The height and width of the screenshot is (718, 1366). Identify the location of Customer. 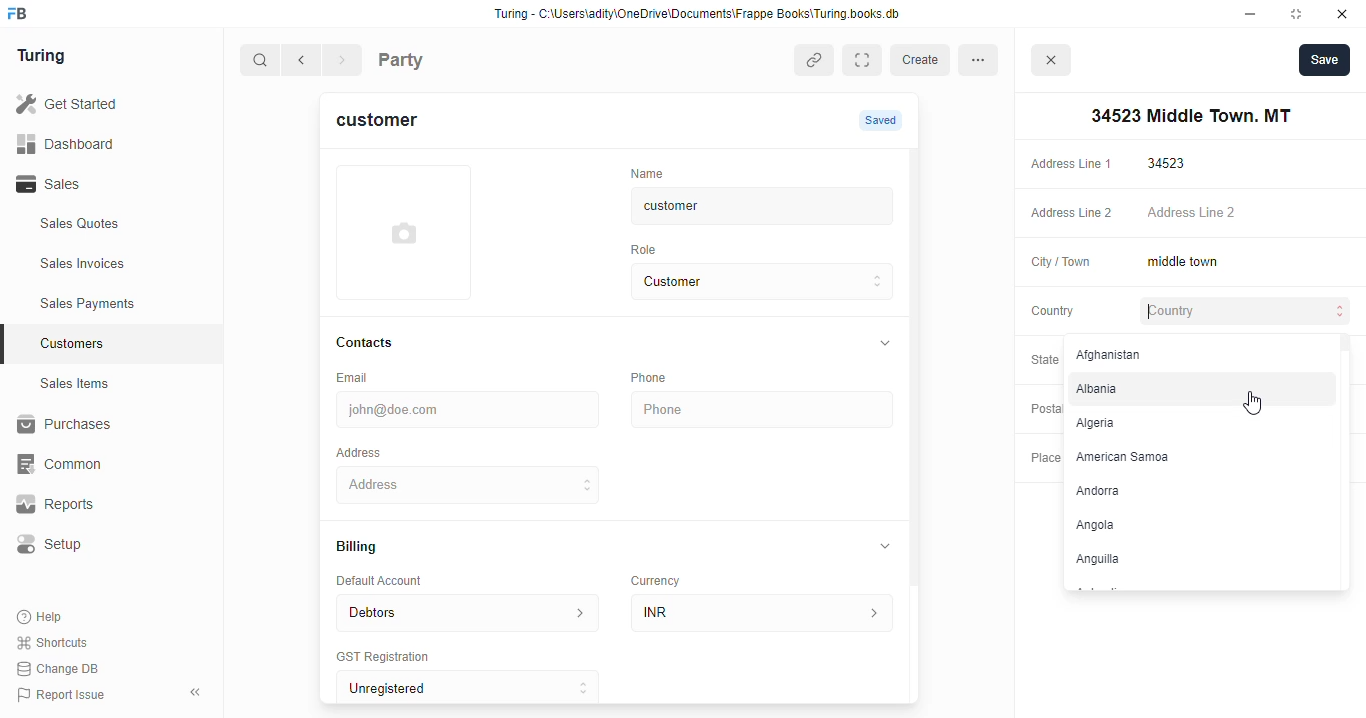
(746, 282).